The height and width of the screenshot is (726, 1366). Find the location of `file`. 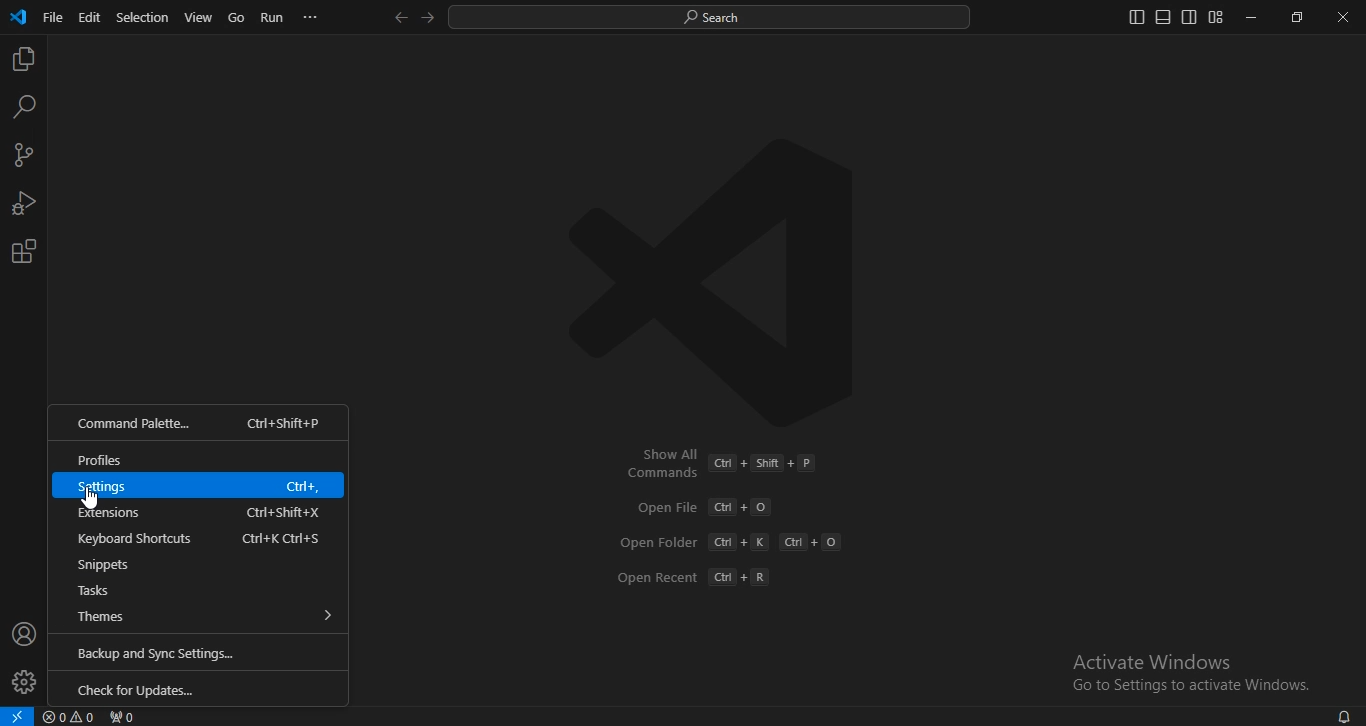

file is located at coordinates (53, 16).